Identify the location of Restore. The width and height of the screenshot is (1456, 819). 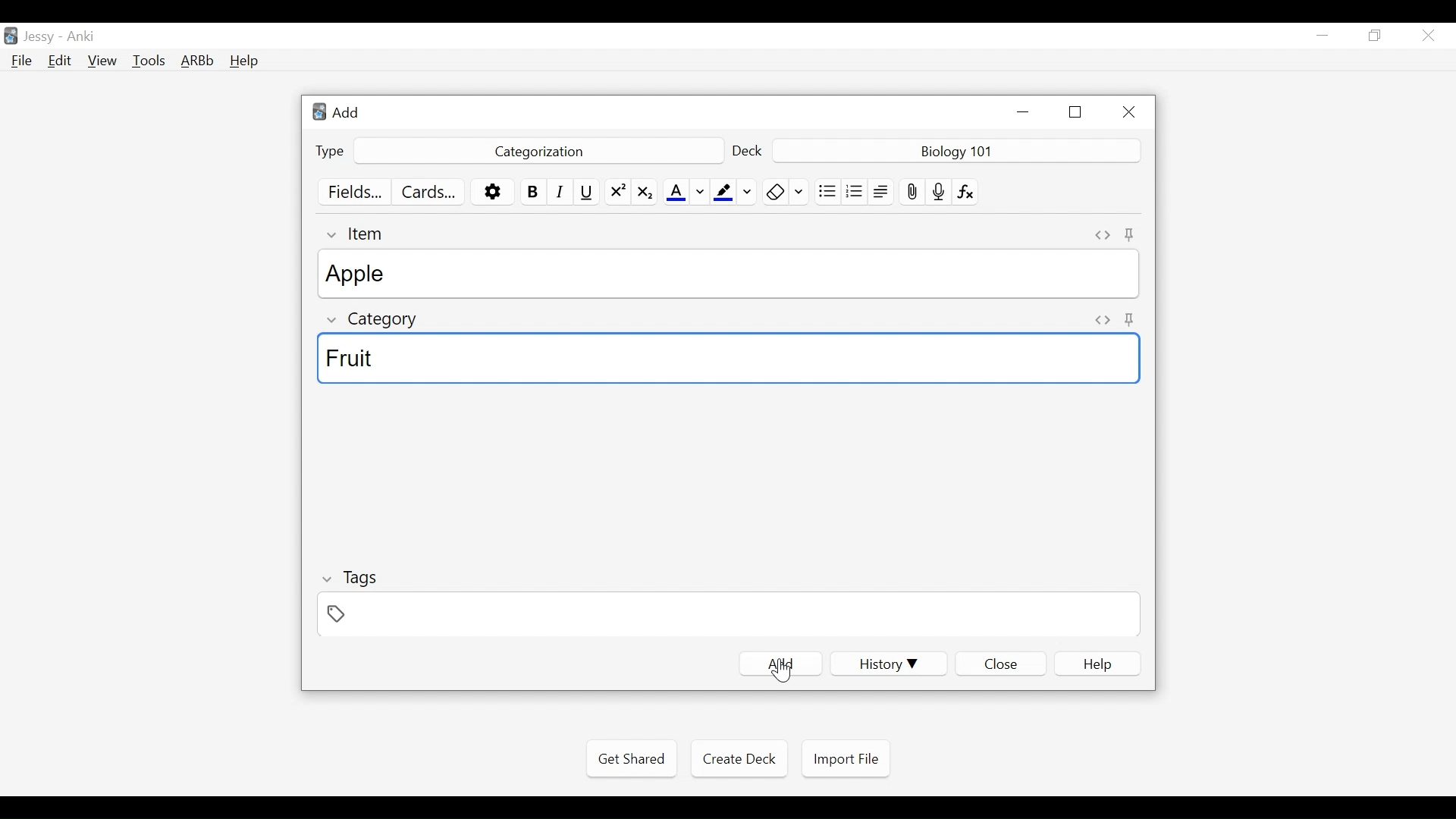
(1376, 36).